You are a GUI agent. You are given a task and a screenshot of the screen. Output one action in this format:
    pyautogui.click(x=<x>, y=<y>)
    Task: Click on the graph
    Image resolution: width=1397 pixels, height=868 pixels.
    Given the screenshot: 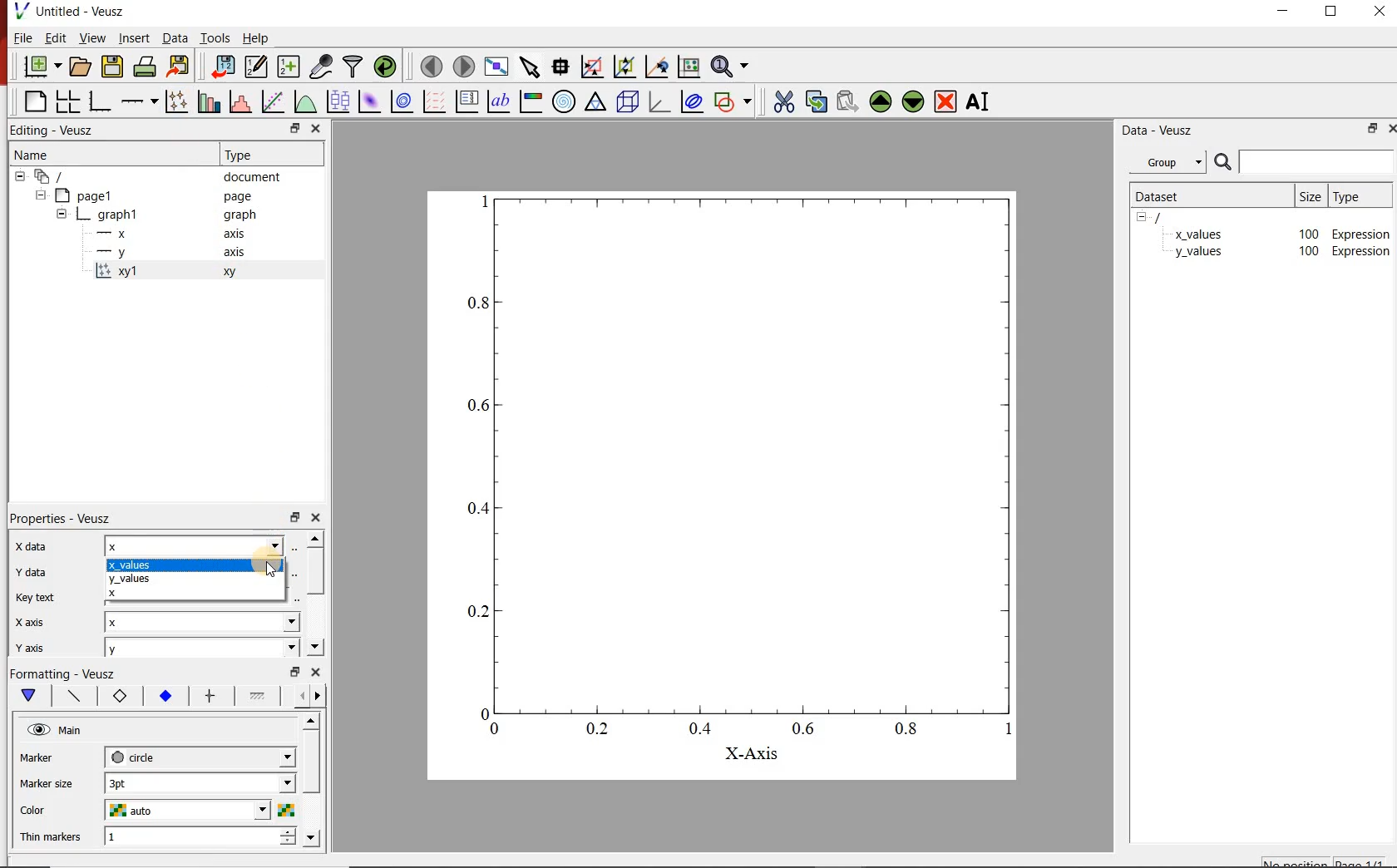 What is the action you would take?
    pyautogui.click(x=726, y=465)
    